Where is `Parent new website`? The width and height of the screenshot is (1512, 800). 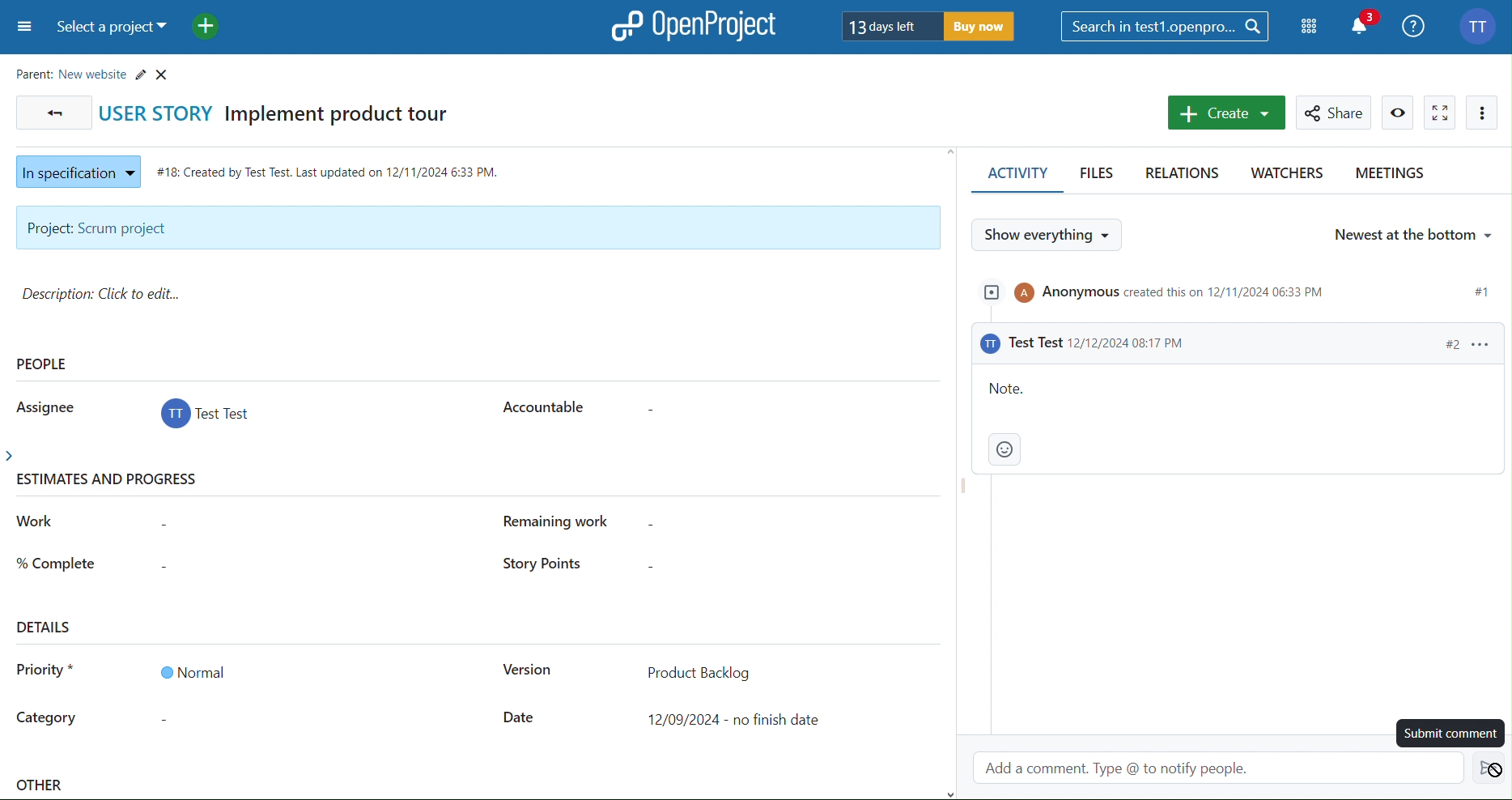 Parent new website is located at coordinates (96, 71).